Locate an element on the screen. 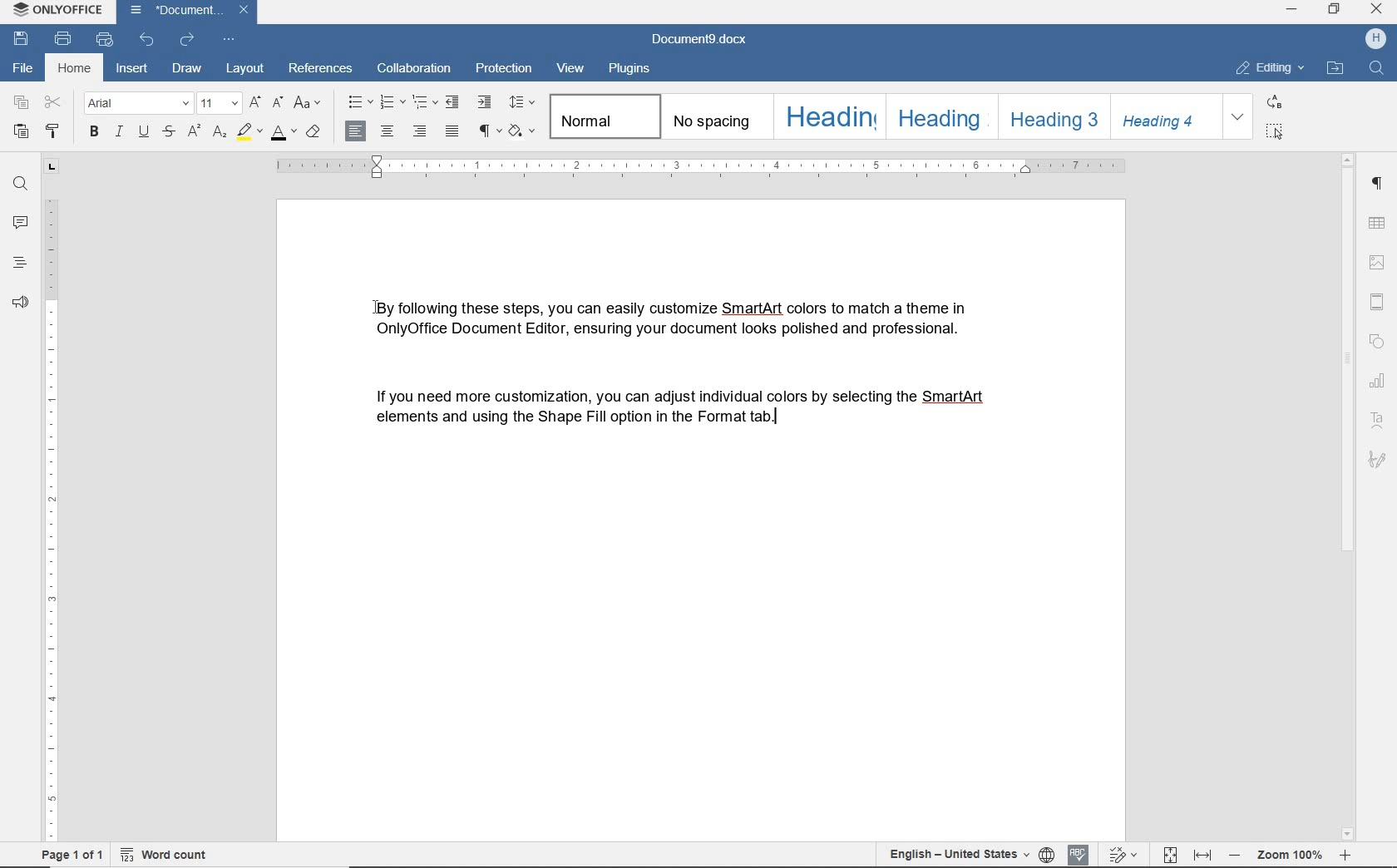  superscript is located at coordinates (194, 131).